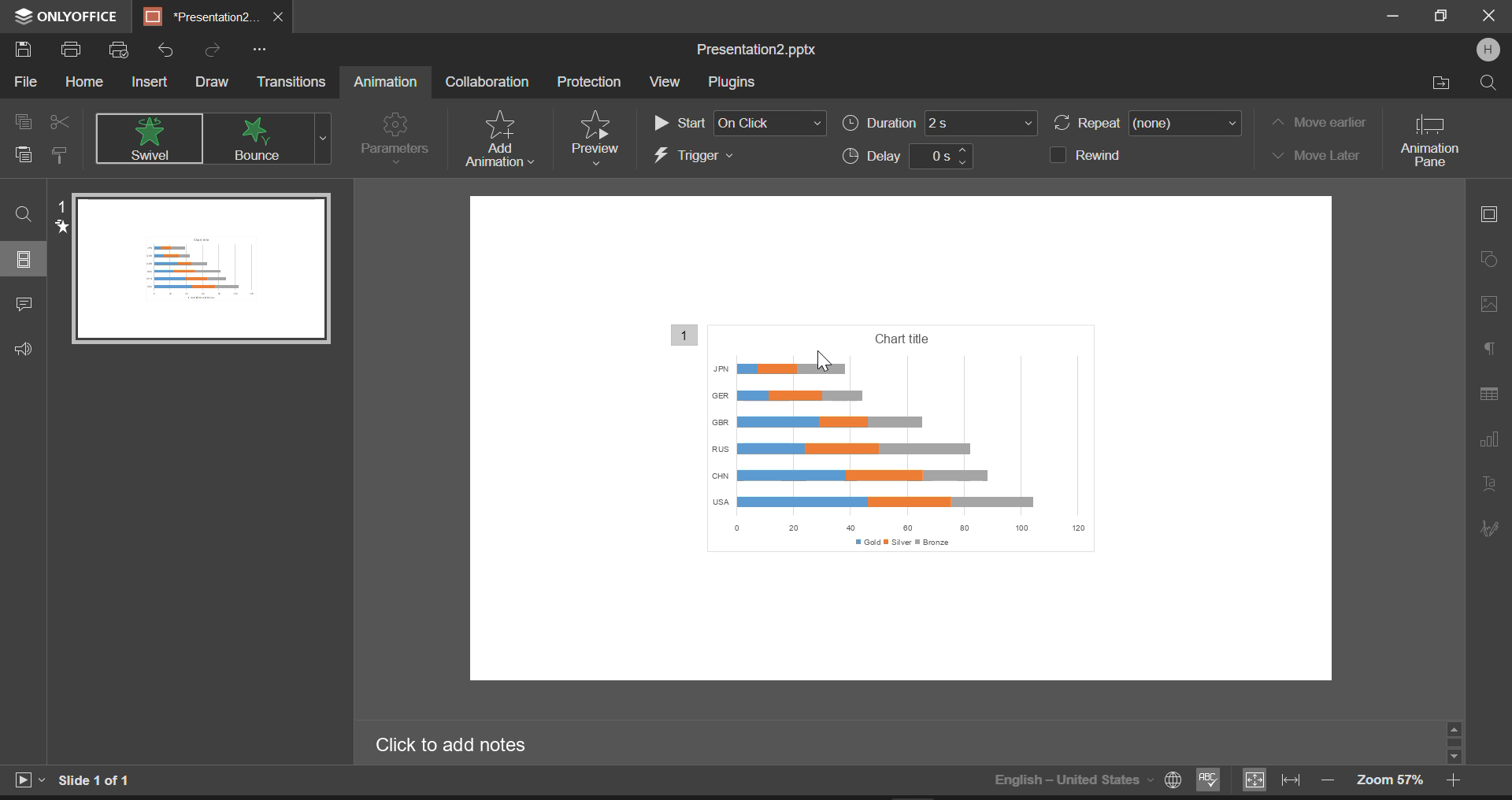 This screenshot has width=1512, height=800. What do you see at coordinates (1488, 50) in the screenshot?
I see `User` at bounding box center [1488, 50].